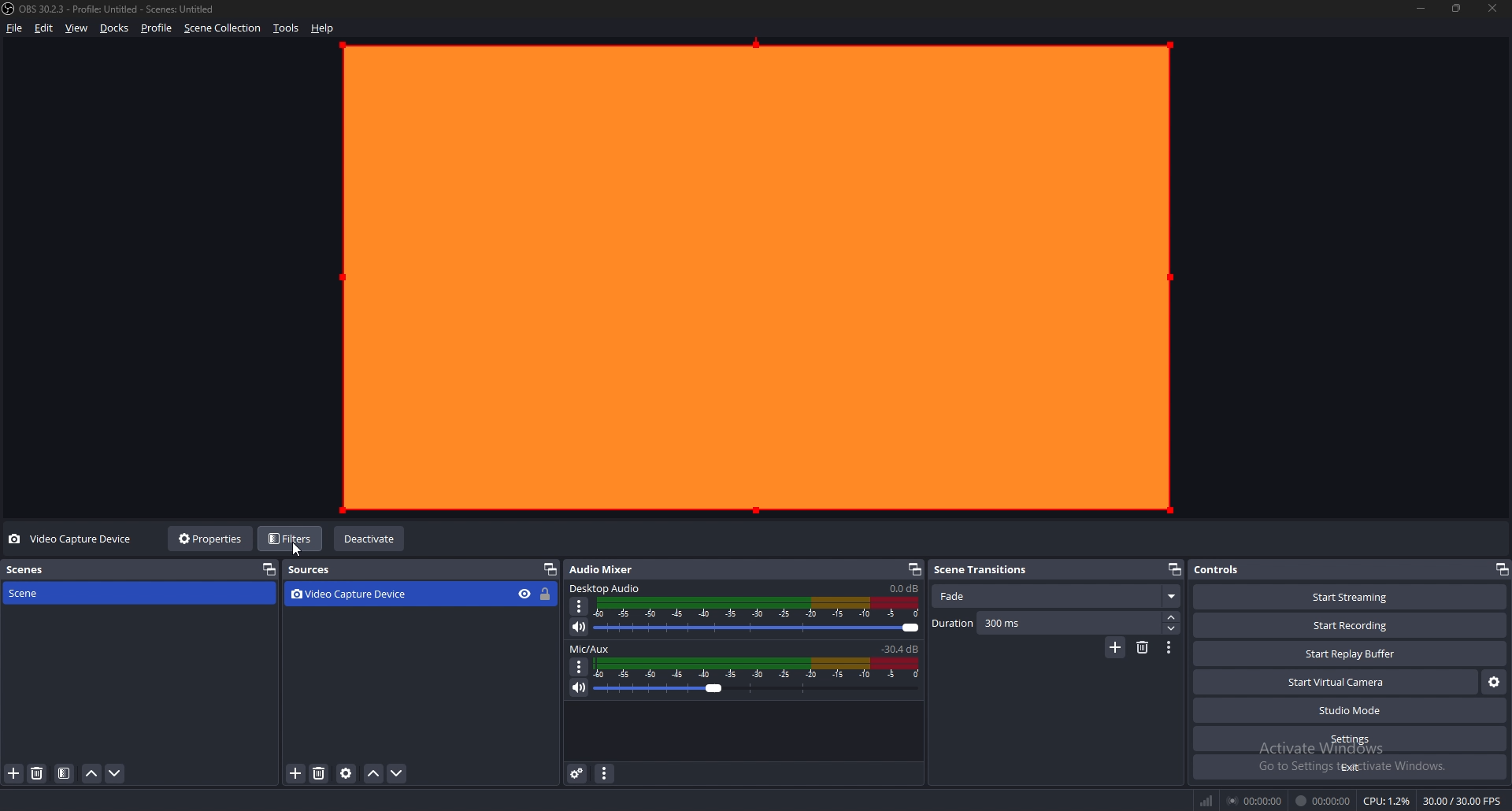 Image resolution: width=1512 pixels, height=811 pixels. I want to click on desktop audio, so click(606, 588).